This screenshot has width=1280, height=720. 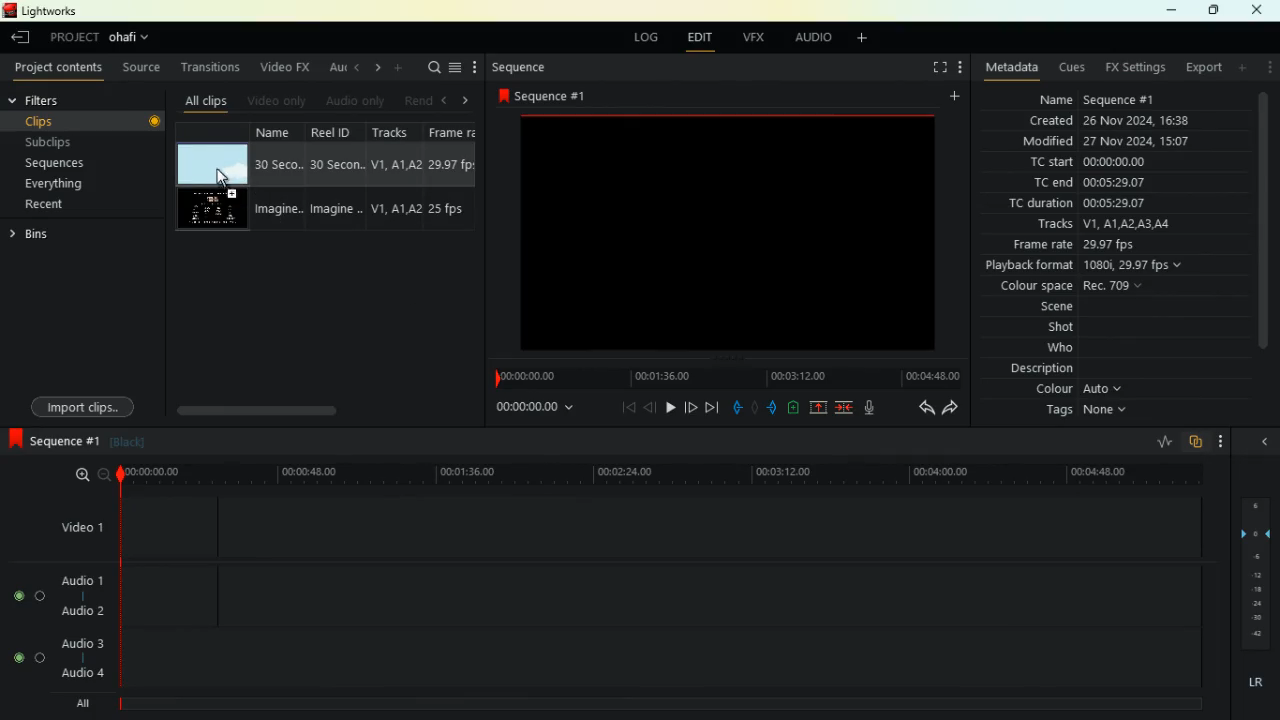 What do you see at coordinates (379, 70) in the screenshot?
I see `right` at bounding box center [379, 70].